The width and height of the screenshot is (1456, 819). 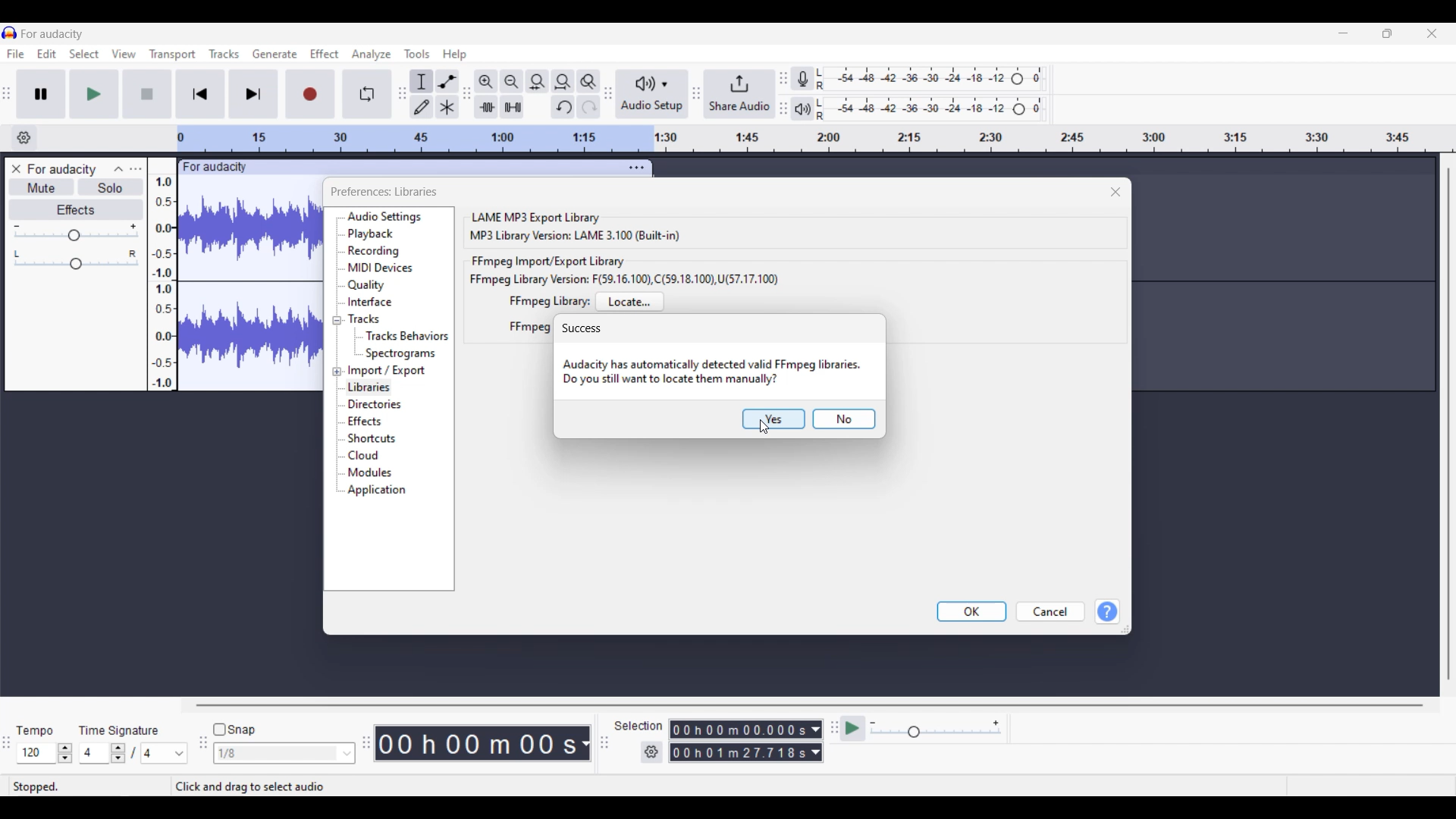 I want to click on Duration measurement, so click(x=816, y=742).